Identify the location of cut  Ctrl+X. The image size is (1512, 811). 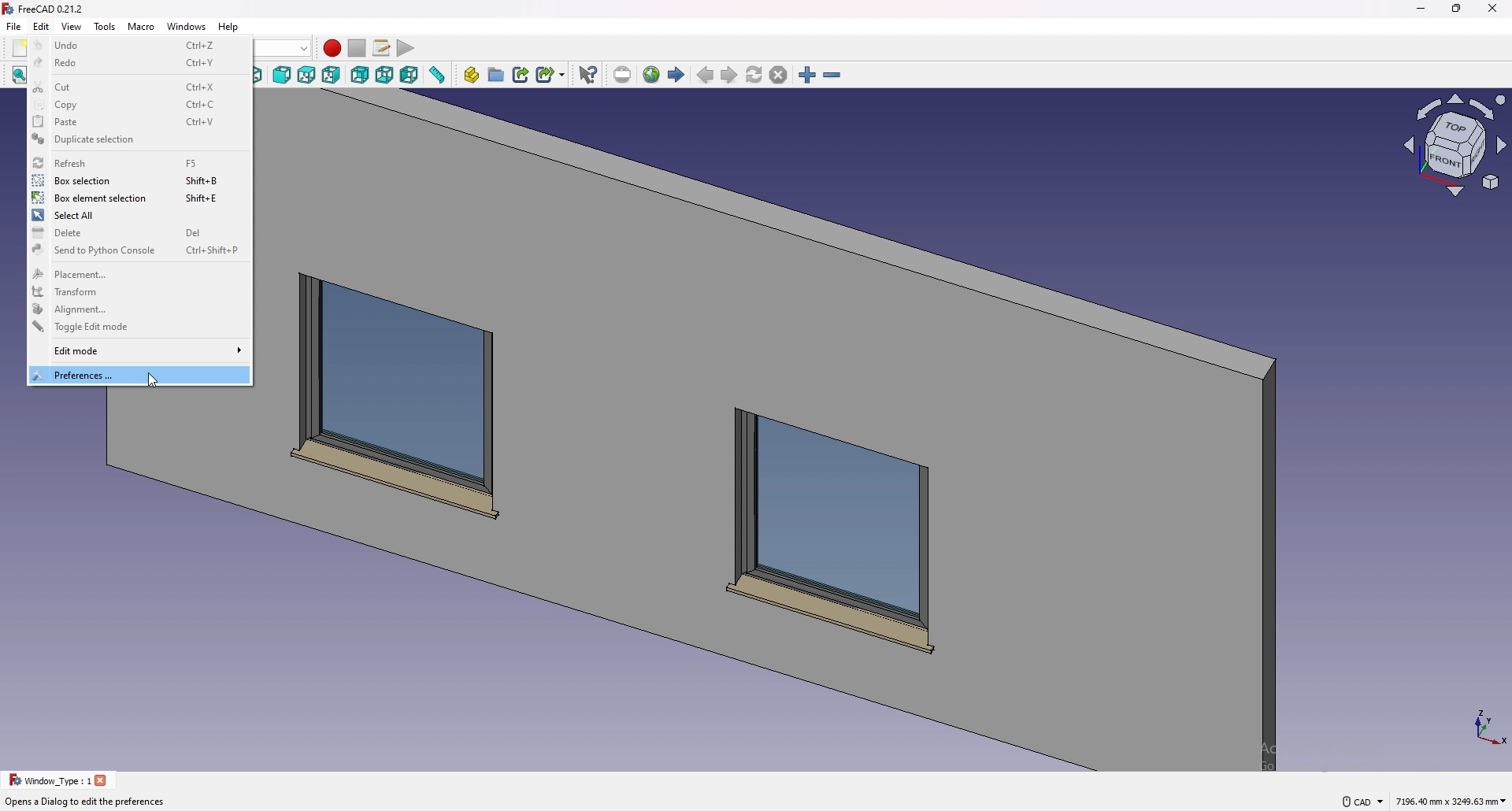
(140, 87).